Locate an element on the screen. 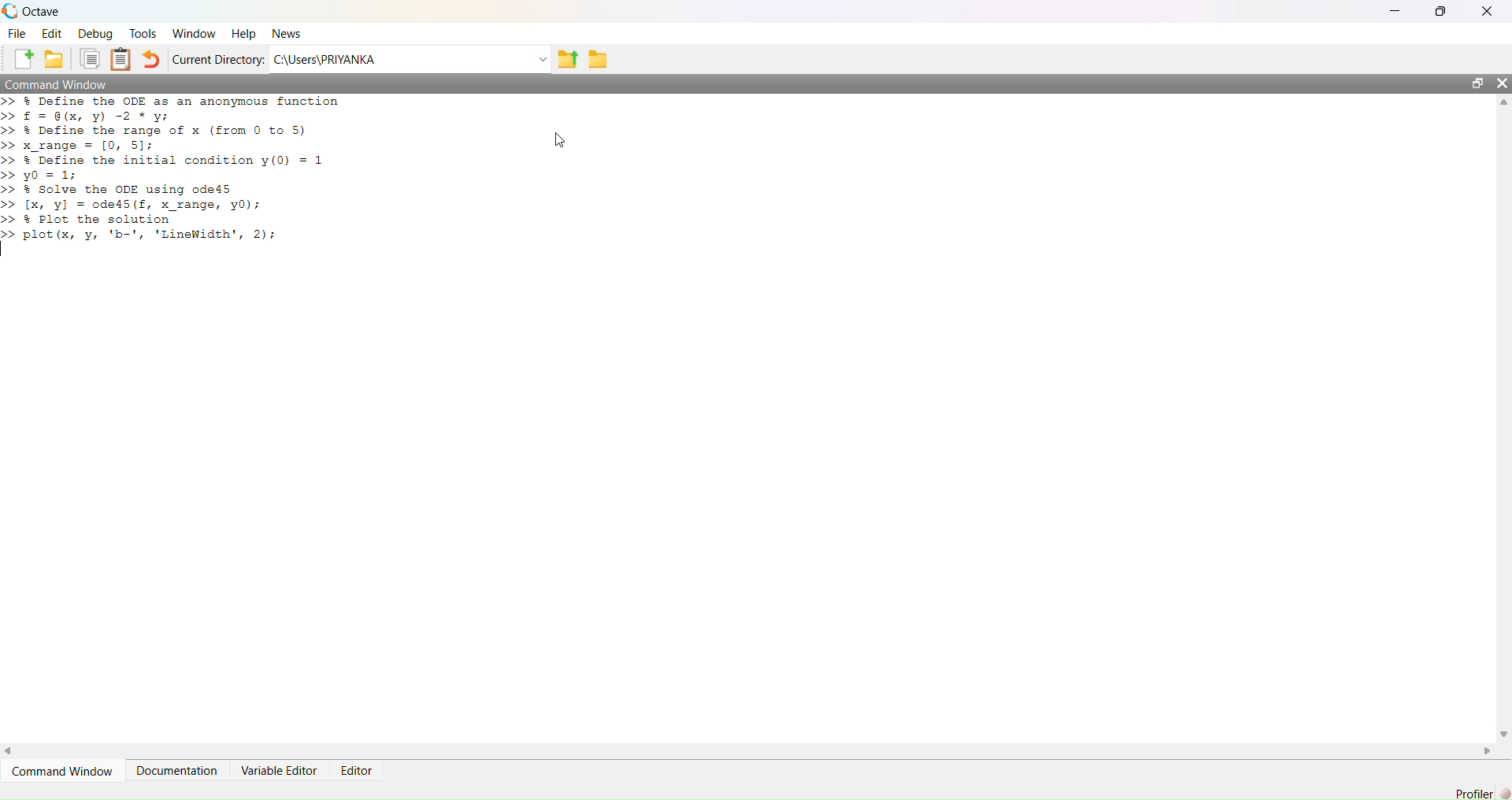  close is located at coordinates (1488, 10).